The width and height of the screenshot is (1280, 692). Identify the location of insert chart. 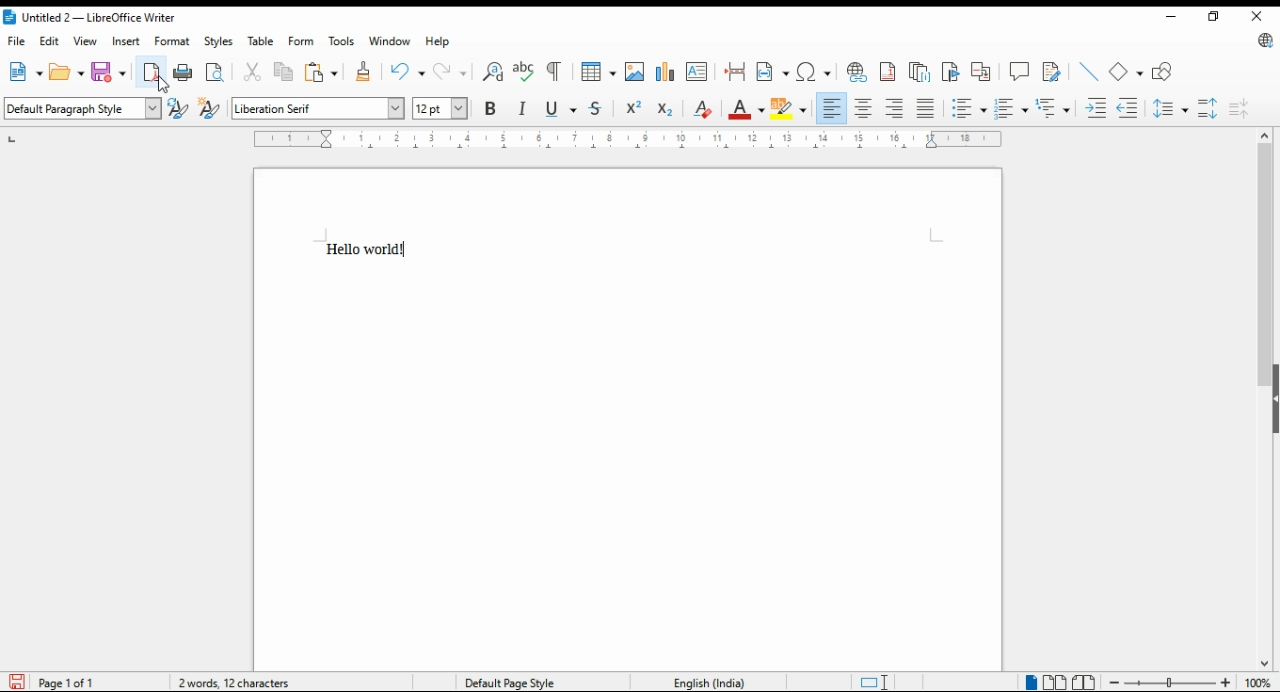
(667, 70).